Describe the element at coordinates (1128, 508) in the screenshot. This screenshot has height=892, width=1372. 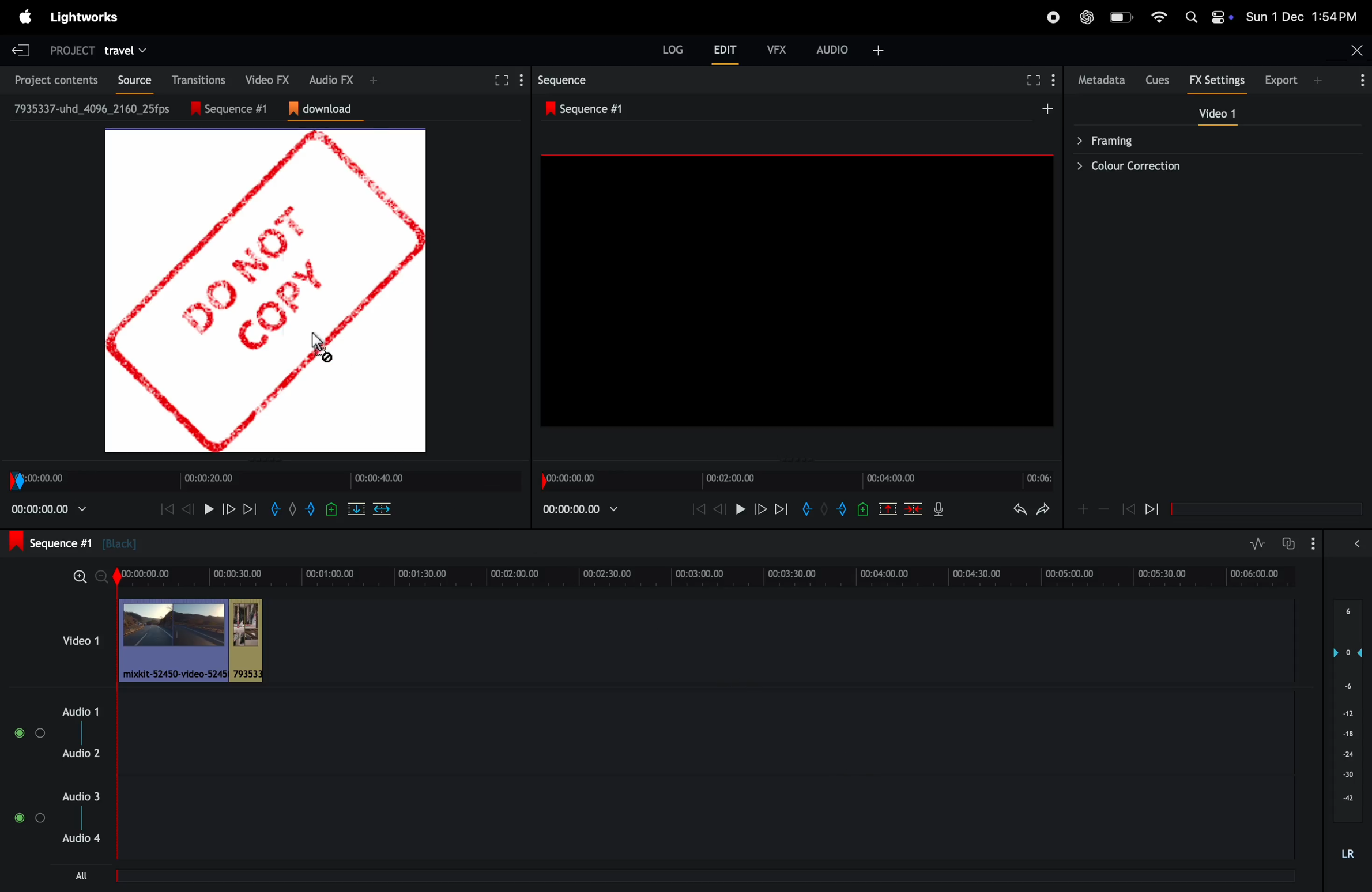
I see `backward` at that location.